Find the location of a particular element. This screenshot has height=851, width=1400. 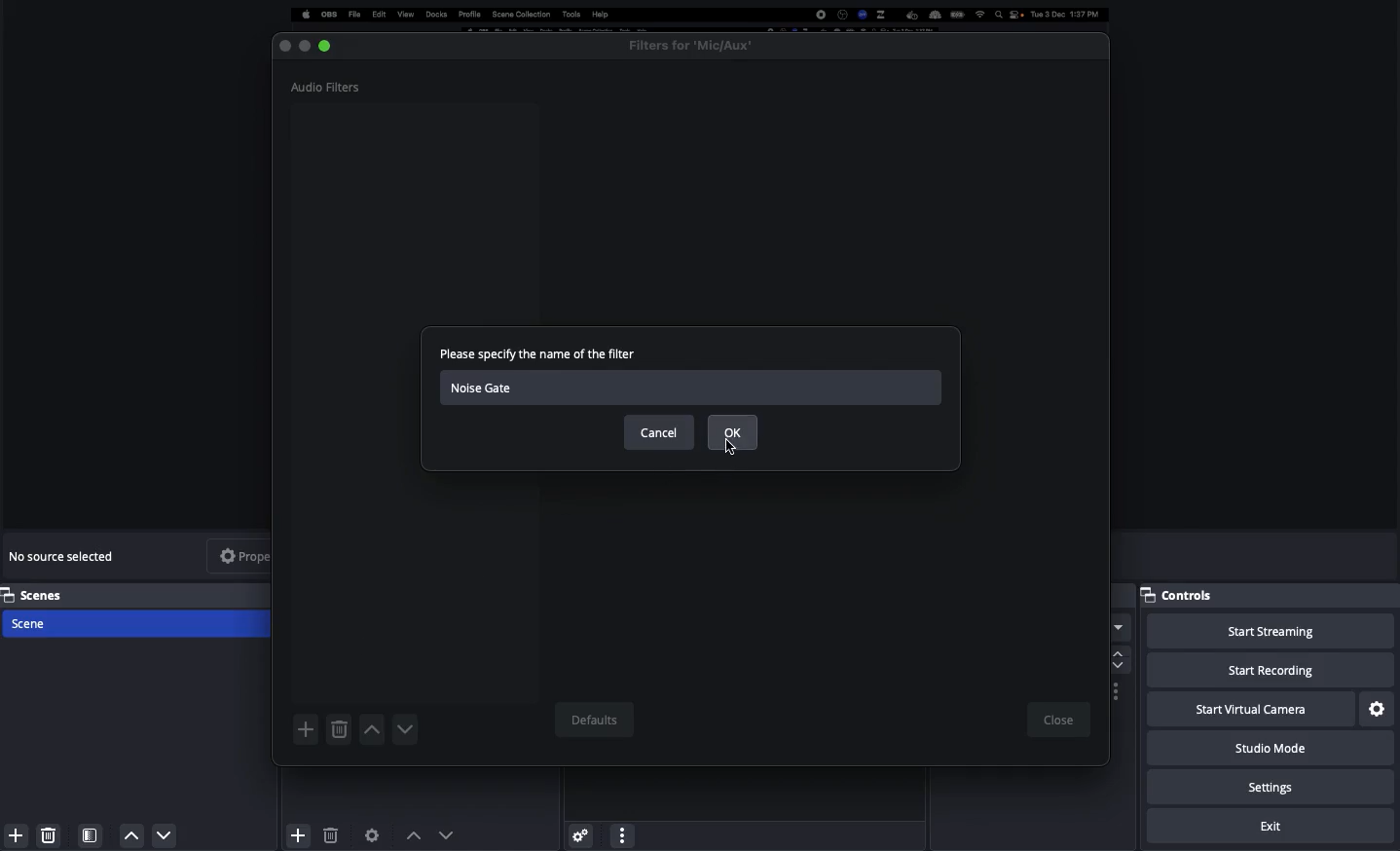

Please specify the name of the filter is located at coordinates (539, 357).